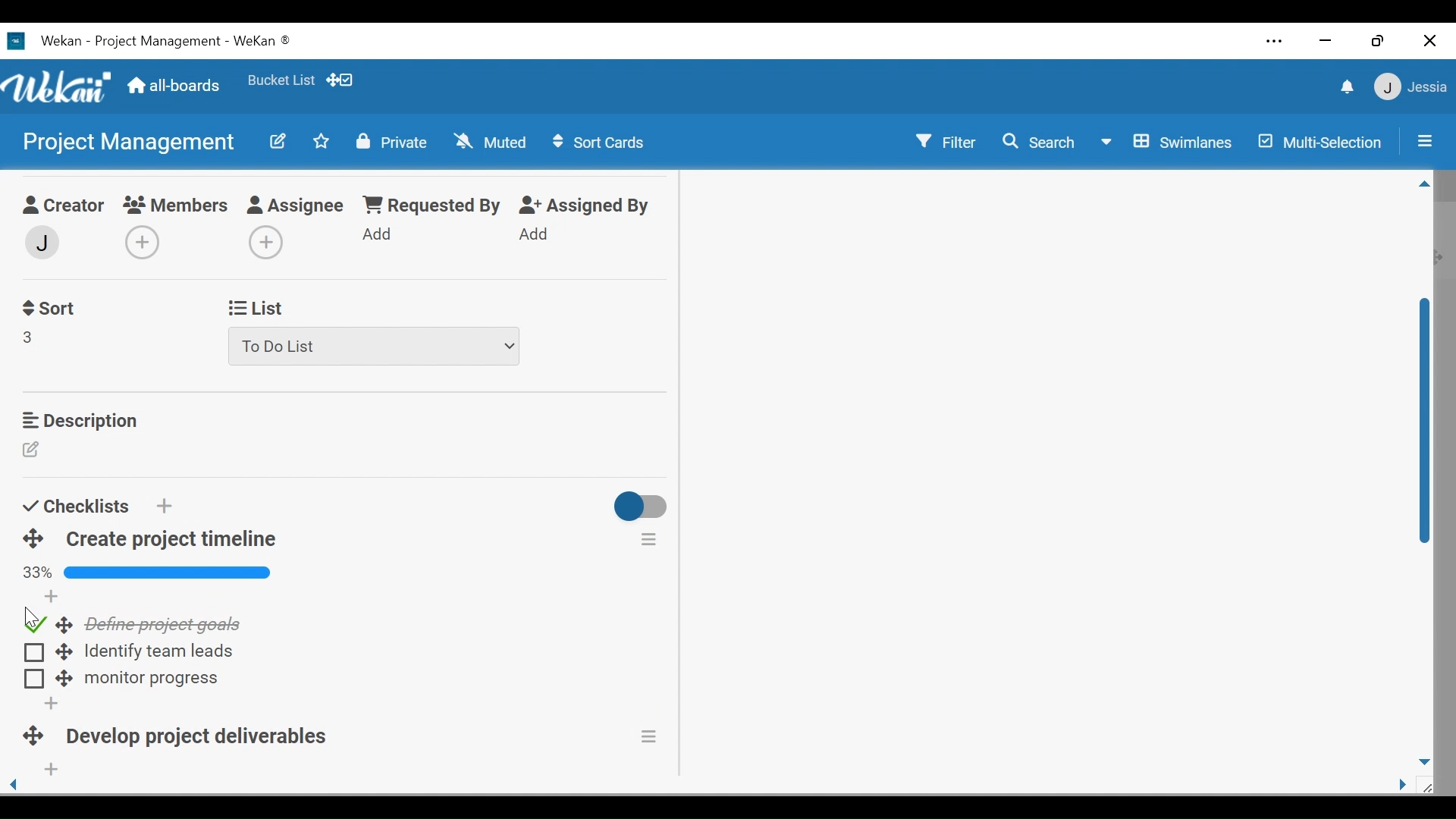 This screenshot has width=1456, height=819. What do you see at coordinates (29, 337) in the screenshot?
I see `Field` at bounding box center [29, 337].